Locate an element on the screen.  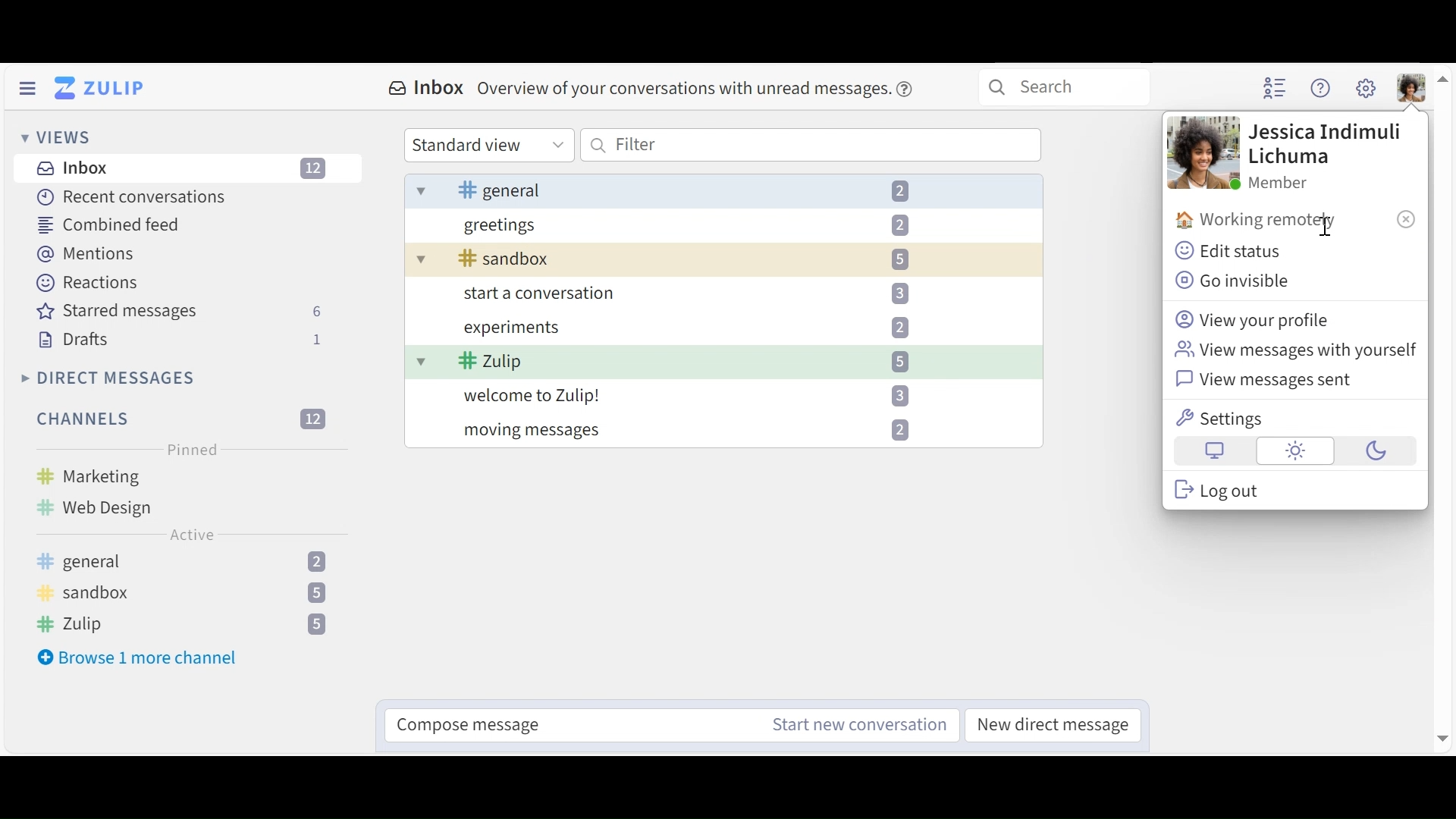
Hide Side Pane is located at coordinates (27, 88).